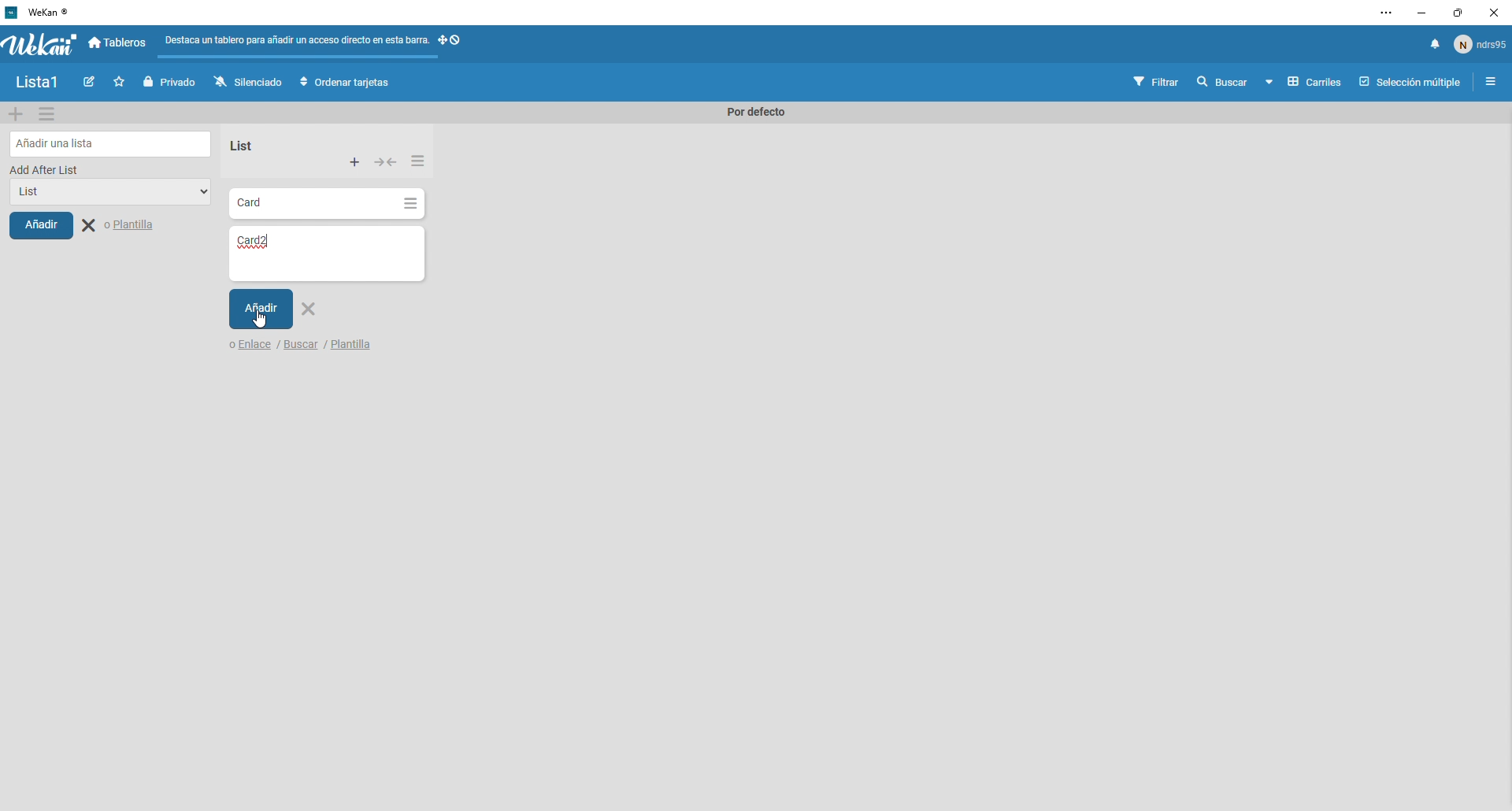 The width and height of the screenshot is (1512, 811). What do you see at coordinates (1388, 13) in the screenshot?
I see `more options` at bounding box center [1388, 13].